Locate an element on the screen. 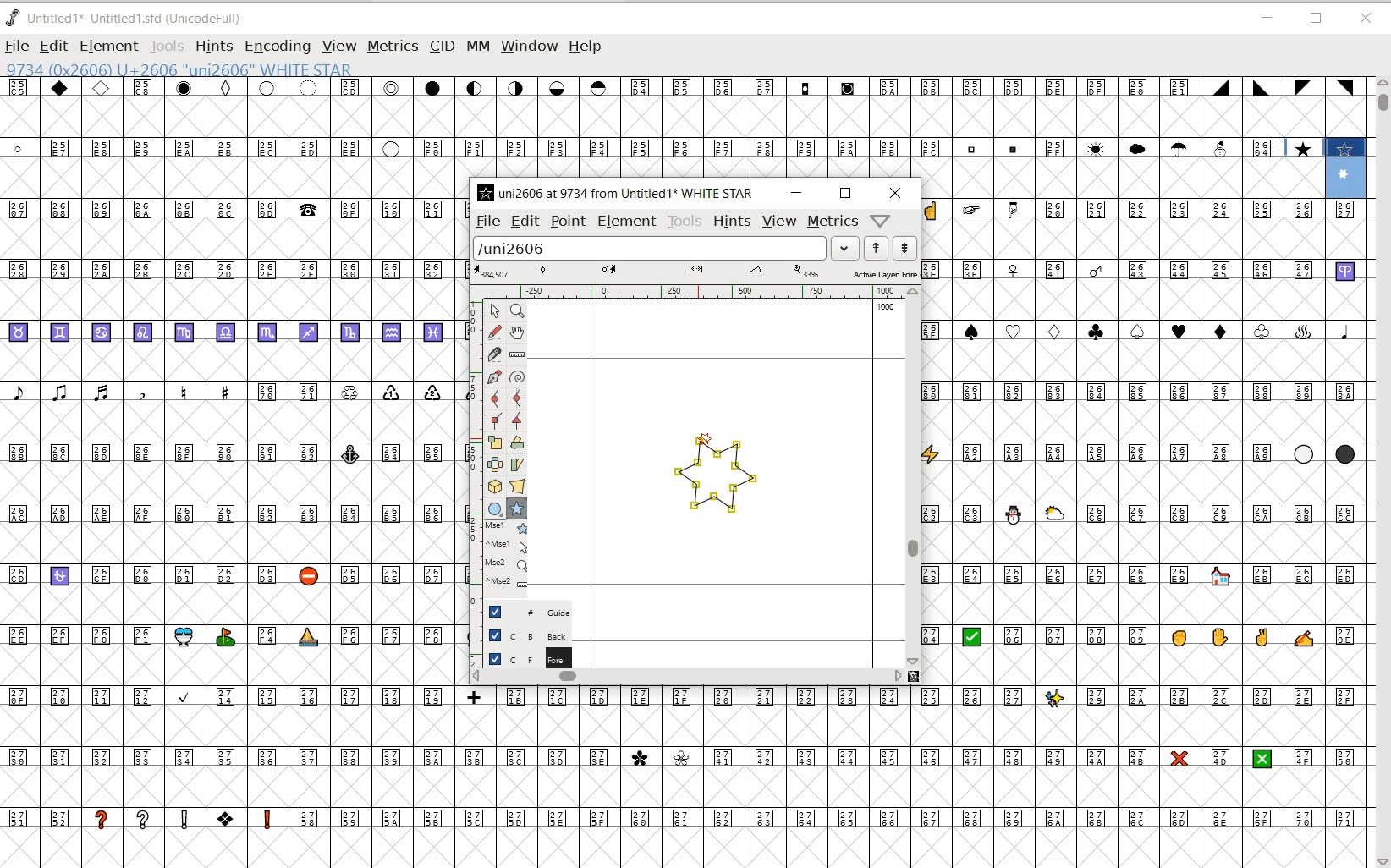 The height and width of the screenshot is (868, 1391). CURSOR LOCATION is located at coordinates (702, 437).